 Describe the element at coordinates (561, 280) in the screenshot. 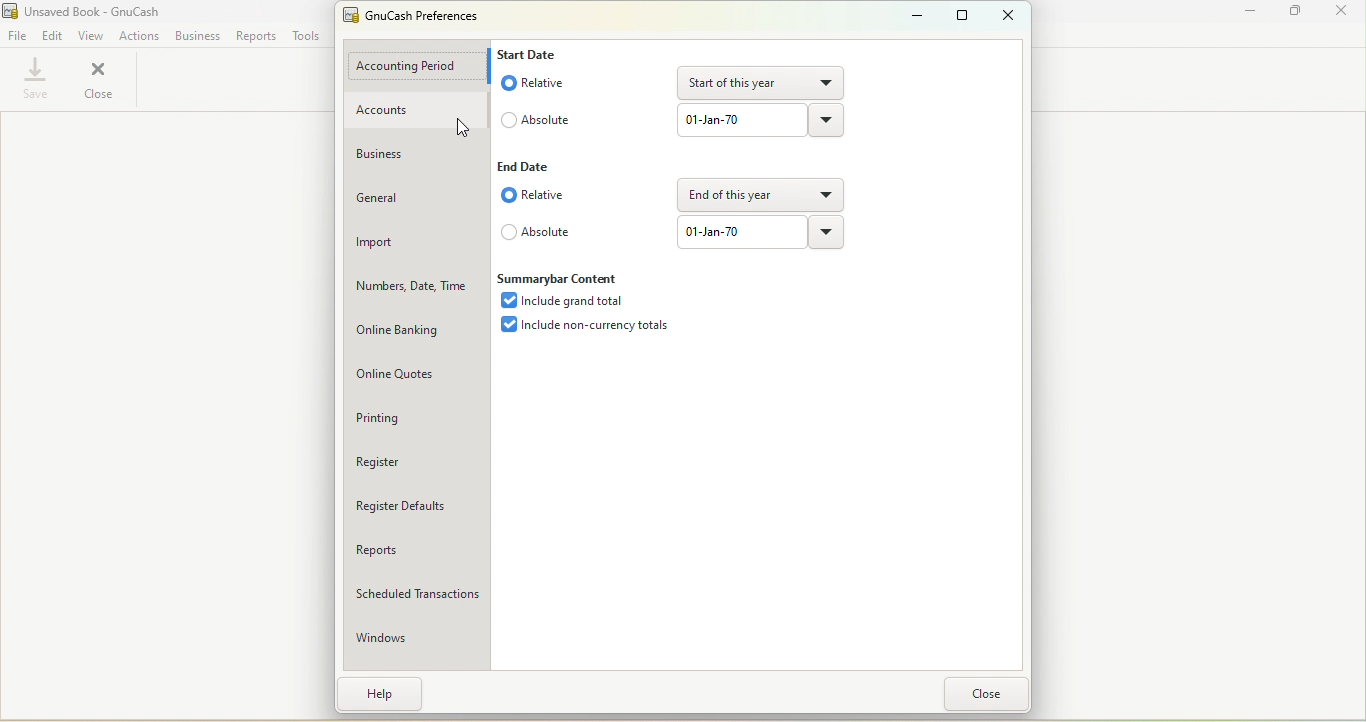

I see `Summarybar content` at that location.